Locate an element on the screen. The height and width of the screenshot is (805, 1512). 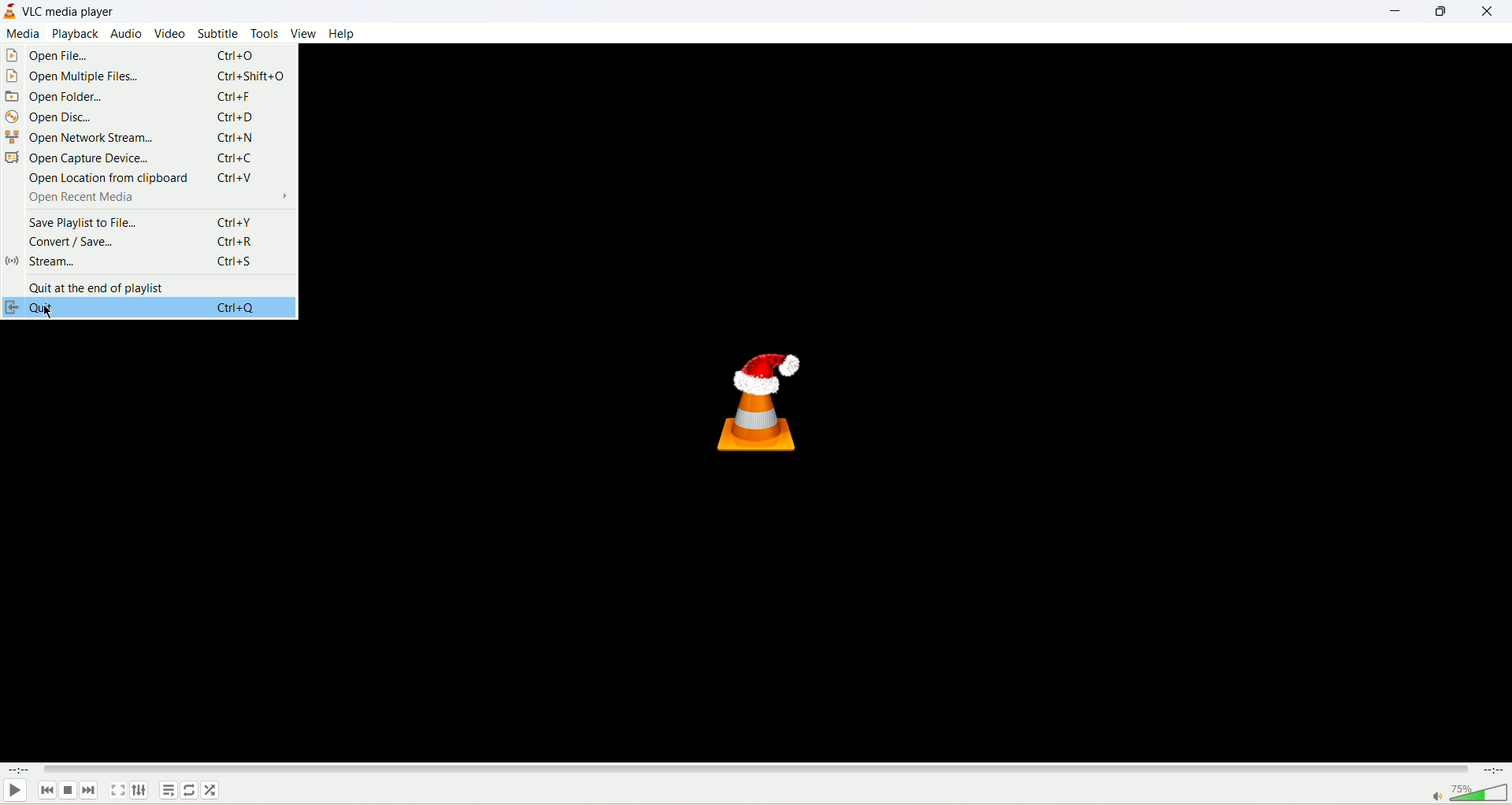
previous is located at coordinates (50, 793).